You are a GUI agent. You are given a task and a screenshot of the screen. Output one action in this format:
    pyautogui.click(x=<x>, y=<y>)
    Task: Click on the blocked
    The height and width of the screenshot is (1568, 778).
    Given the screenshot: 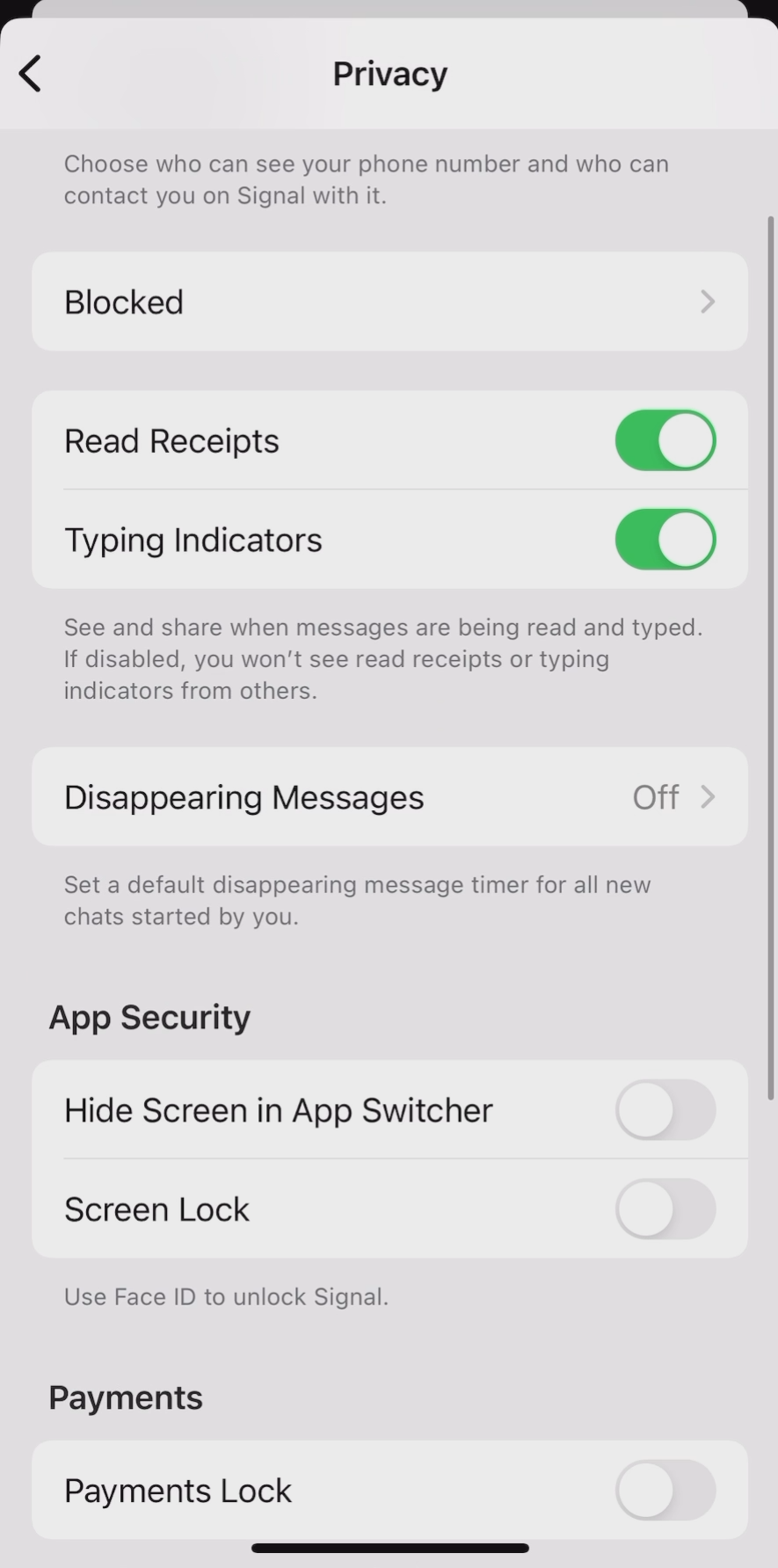 What is the action you would take?
    pyautogui.click(x=395, y=301)
    